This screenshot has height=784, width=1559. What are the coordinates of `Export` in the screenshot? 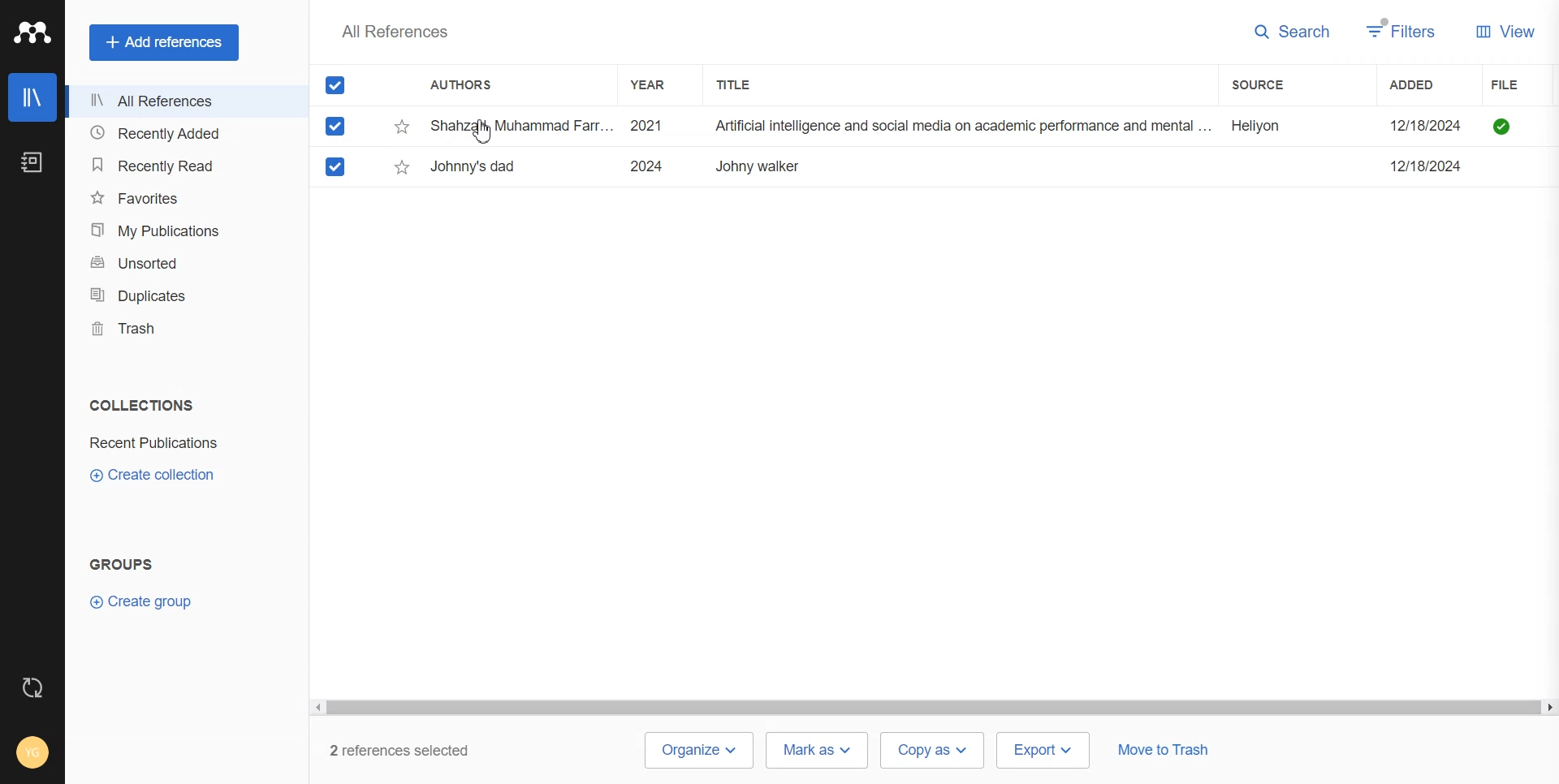 It's located at (1044, 749).